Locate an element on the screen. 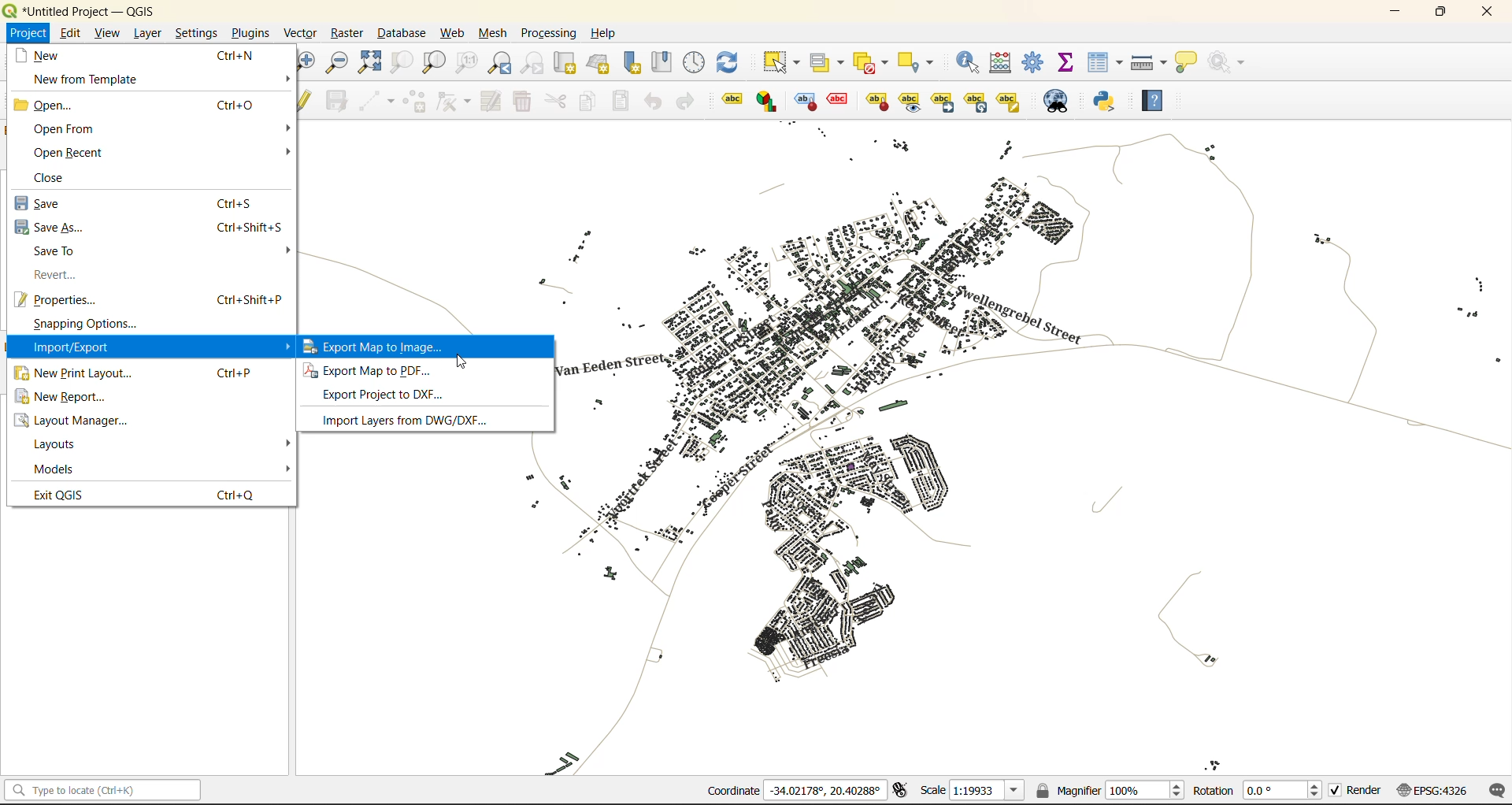 Image resolution: width=1512 pixels, height=805 pixels. open is located at coordinates (50, 104).